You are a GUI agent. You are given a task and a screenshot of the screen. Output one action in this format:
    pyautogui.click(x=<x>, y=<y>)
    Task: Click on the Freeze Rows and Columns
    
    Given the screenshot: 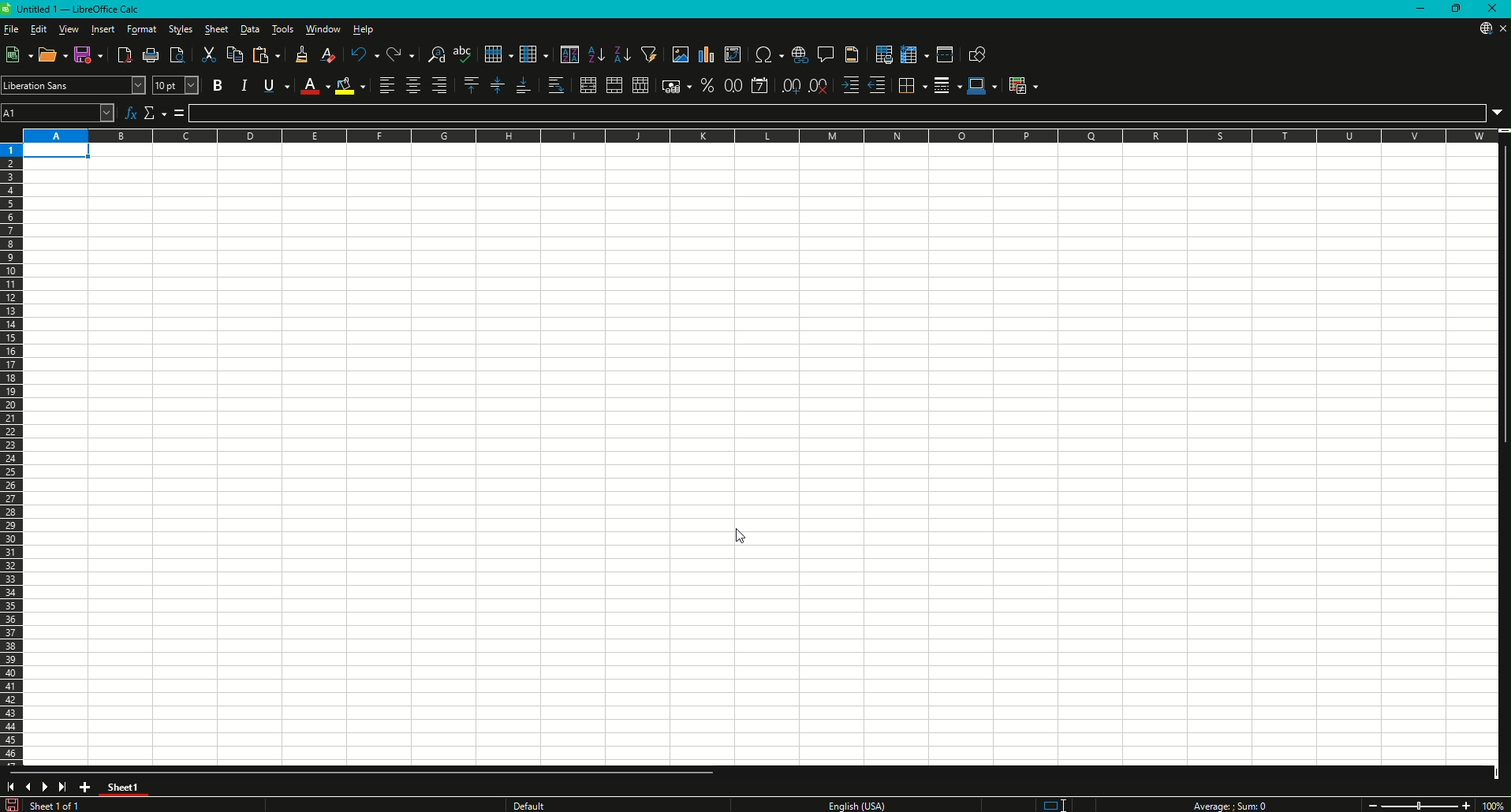 What is the action you would take?
    pyautogui.click(x=914, y=54)
    